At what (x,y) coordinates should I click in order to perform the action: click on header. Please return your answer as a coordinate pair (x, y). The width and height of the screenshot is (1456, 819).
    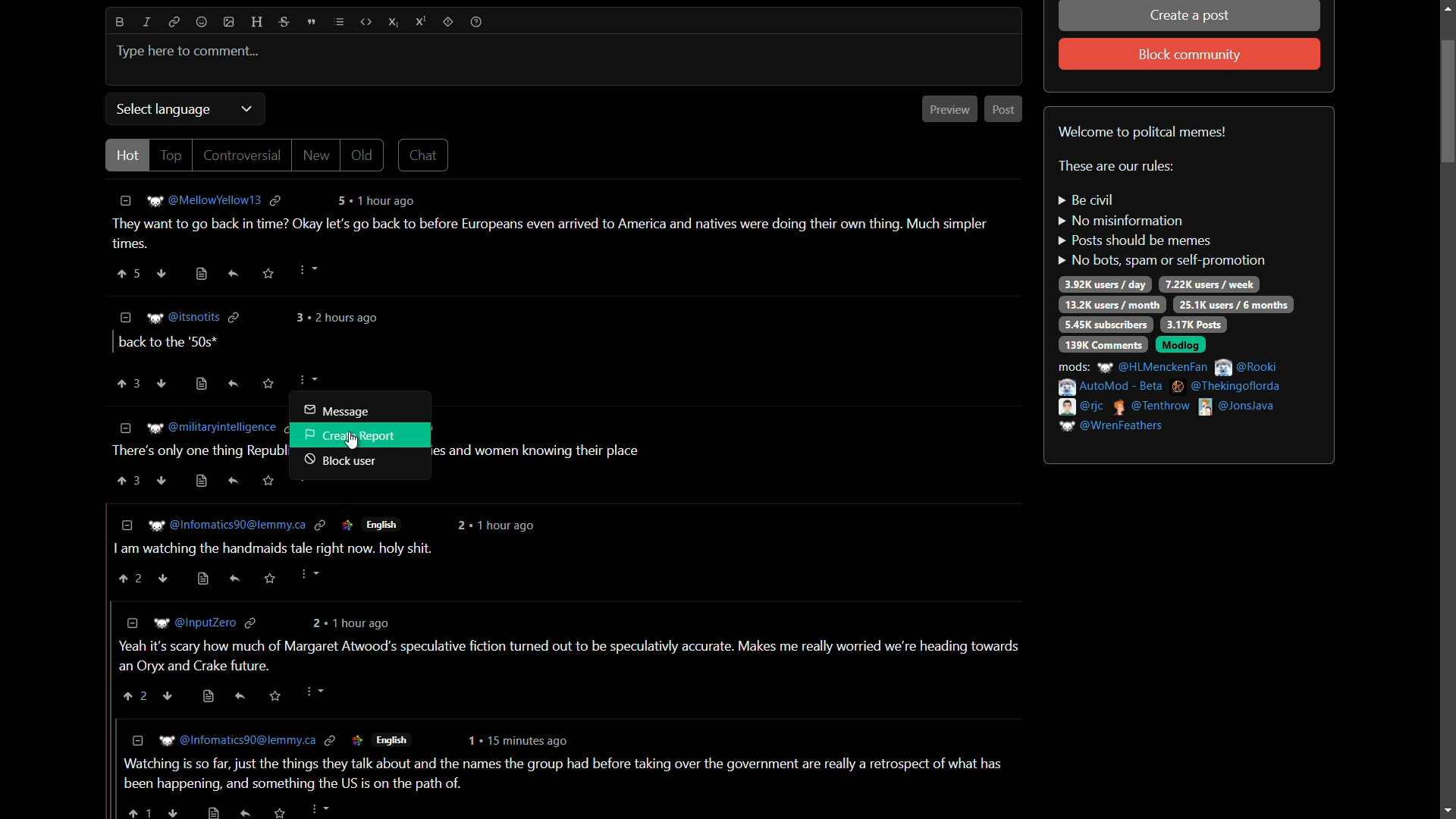
    Looking at the image, I should click on (256, 23).